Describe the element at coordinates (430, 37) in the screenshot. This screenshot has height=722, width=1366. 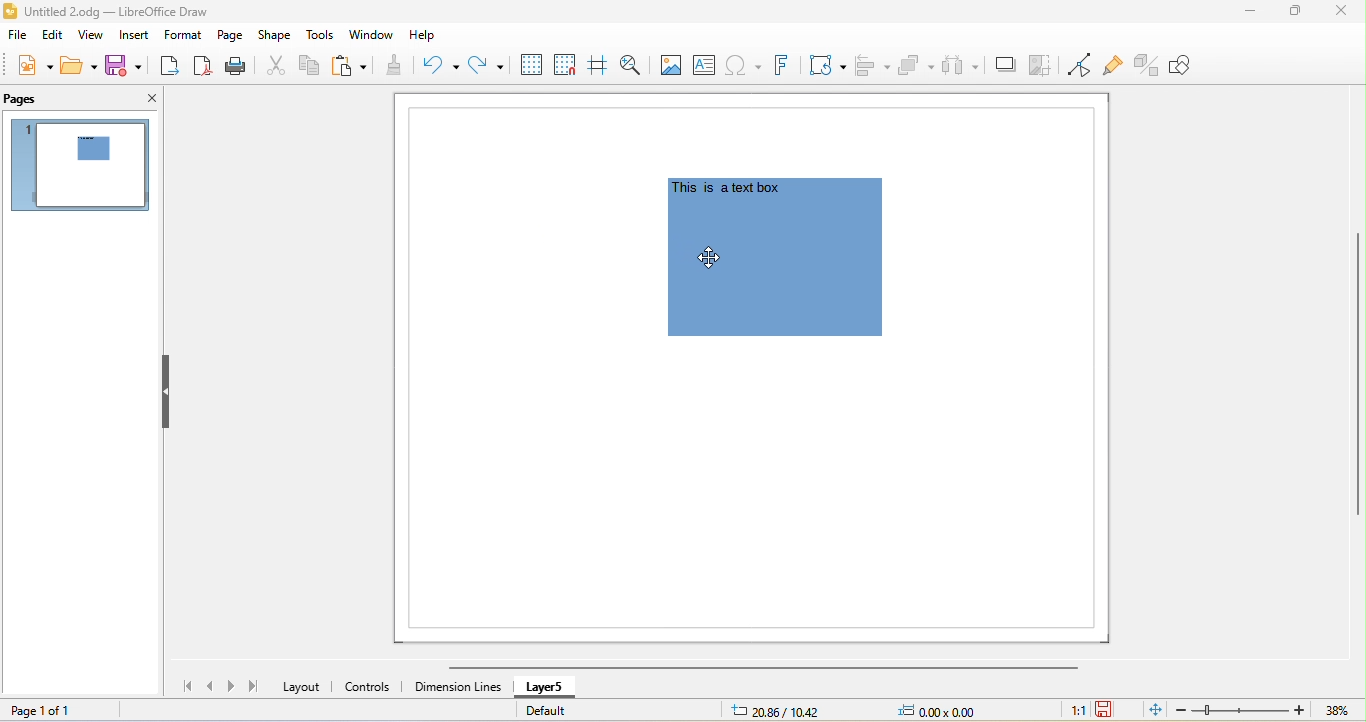
I see `help` at that location.